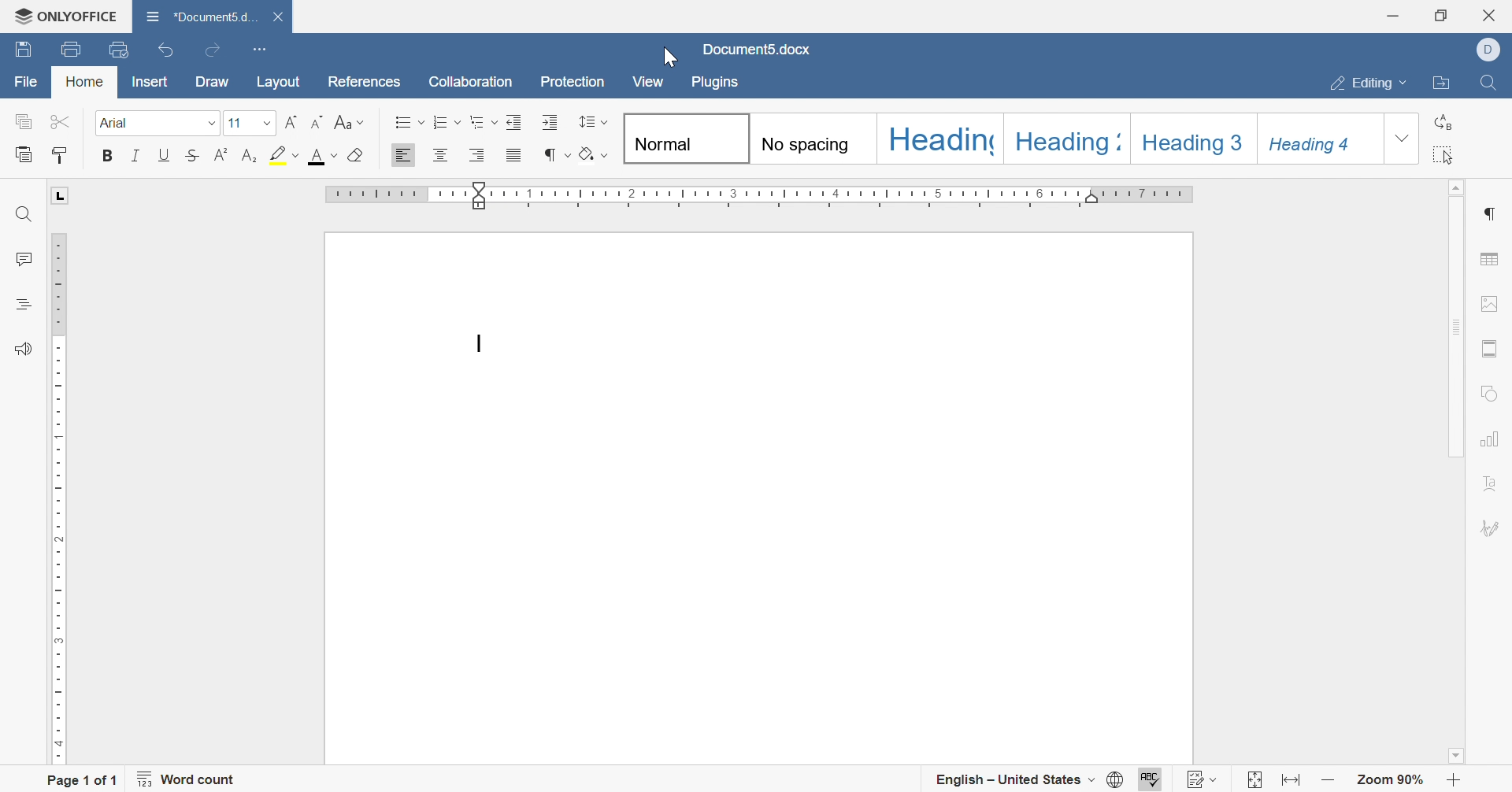  I want to click on change case, so click(349, 121).